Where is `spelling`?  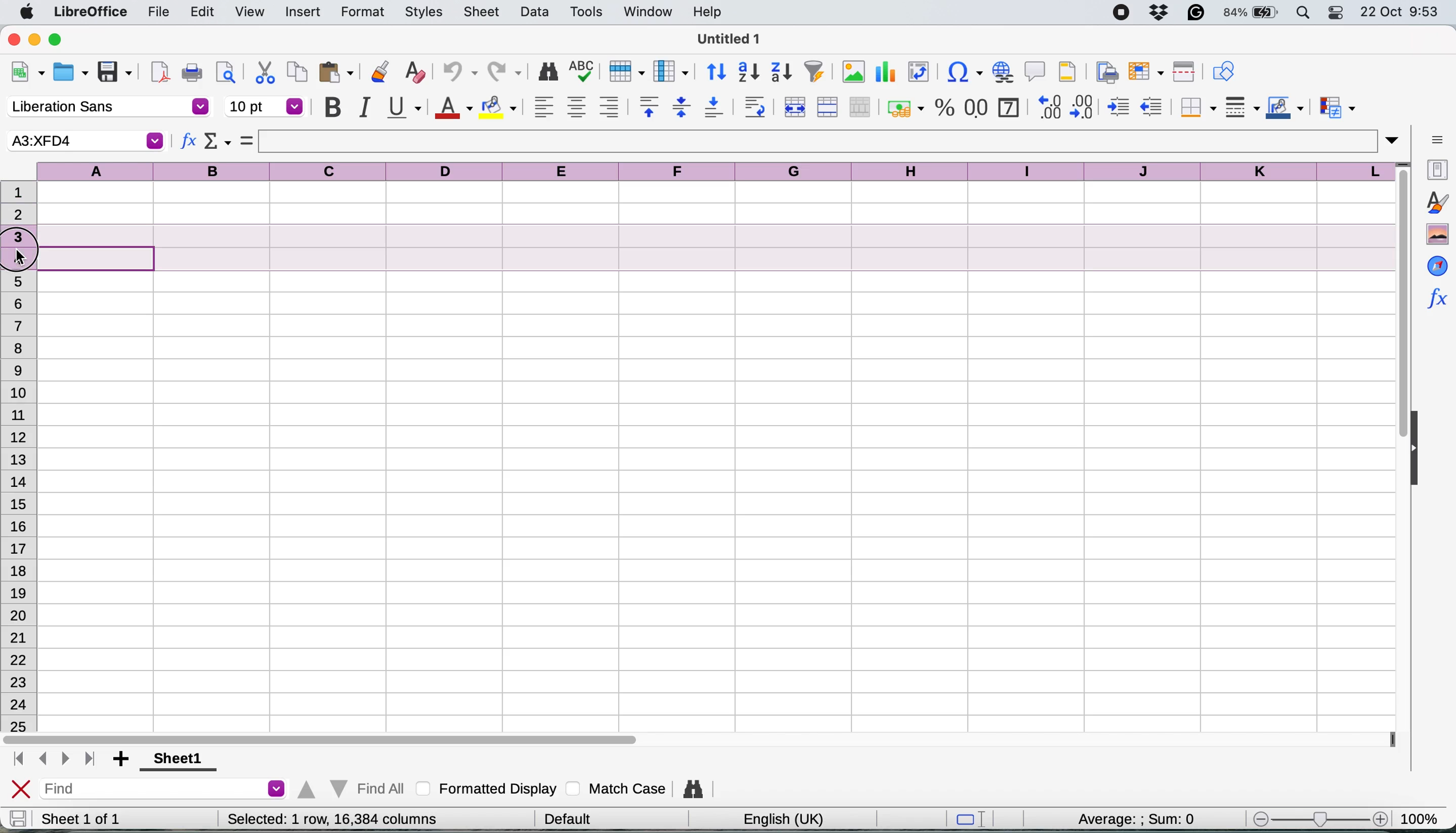 spelling is located at coordinates (583, 73).